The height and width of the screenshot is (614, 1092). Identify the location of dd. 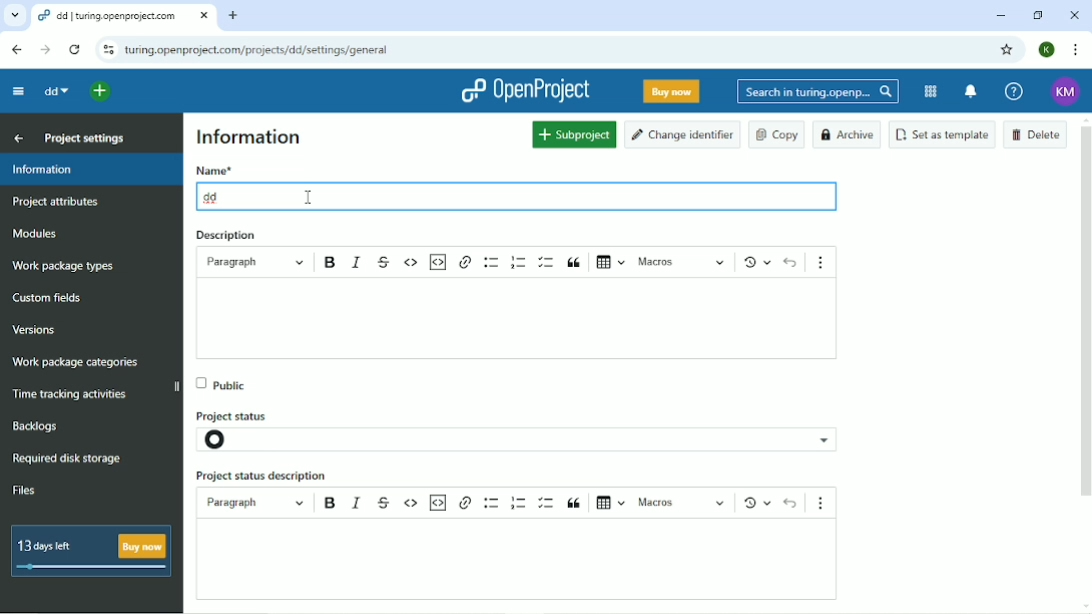
(214, 196).